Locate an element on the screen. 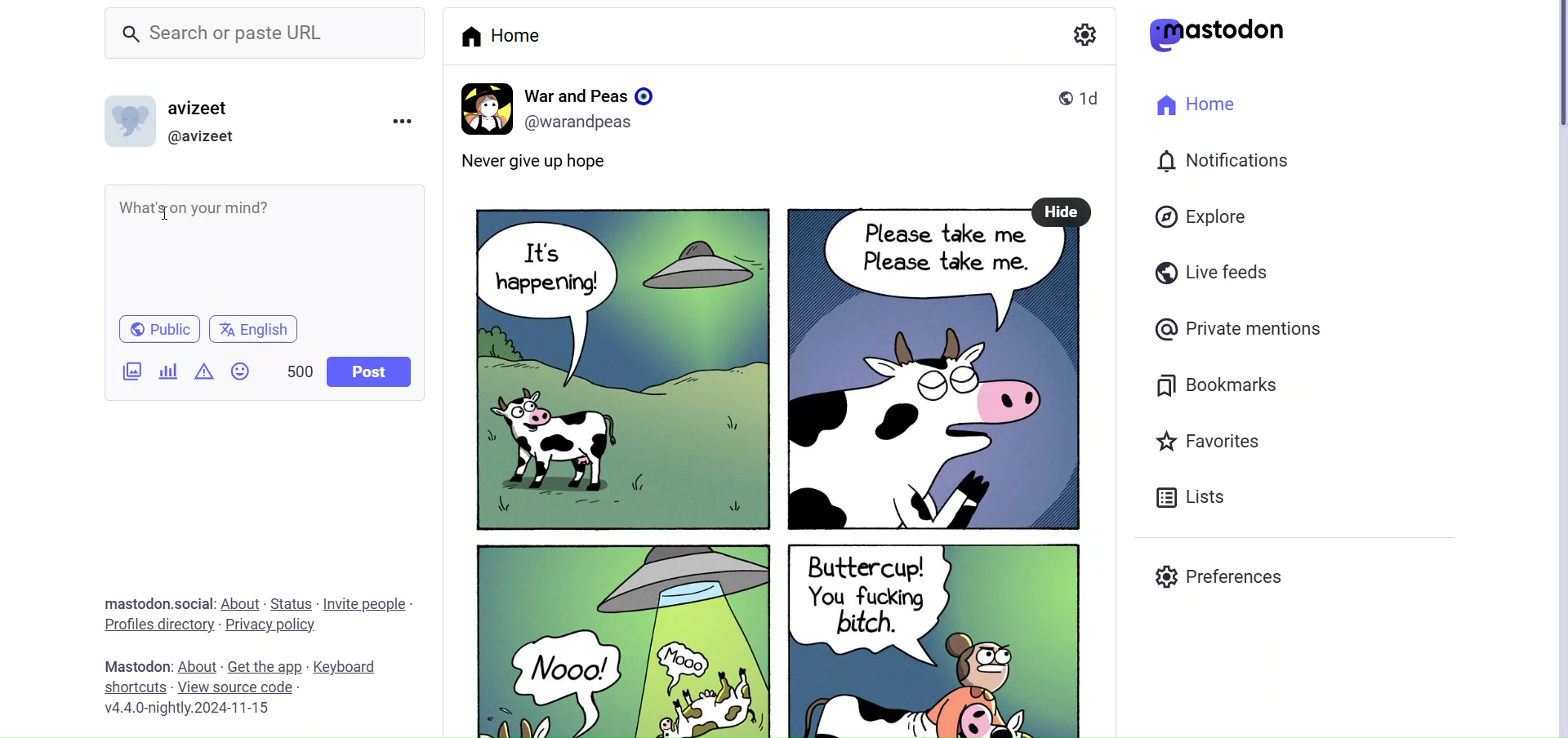 Image resolution: width=1568 pixels, height=738 pixels. @avizeet is located at coordinates (209, 136).